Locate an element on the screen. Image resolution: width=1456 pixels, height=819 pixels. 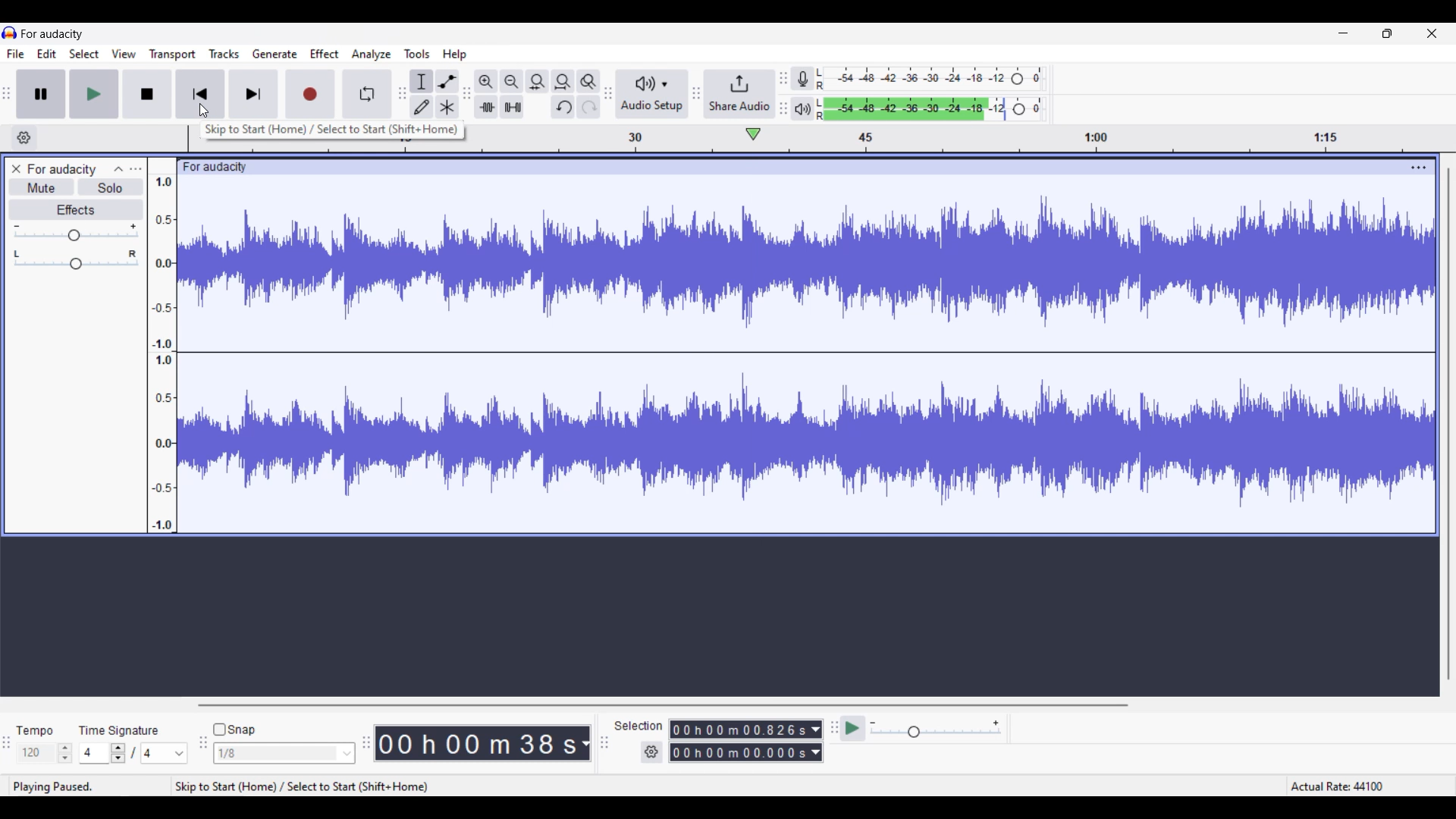
Selection tool is located at coordinates (422, 81).